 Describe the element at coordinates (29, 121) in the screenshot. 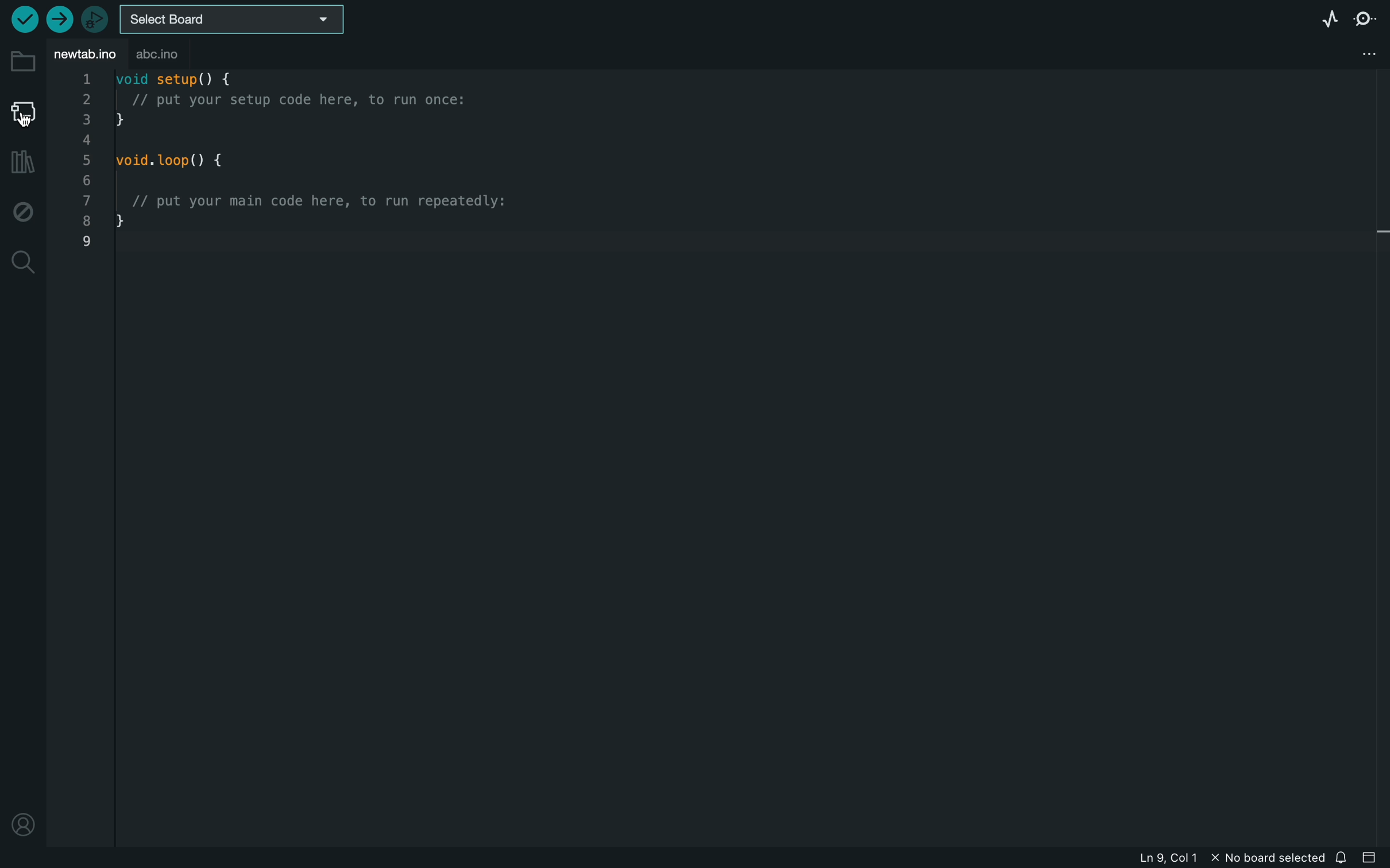

I see `cursor` at that location.